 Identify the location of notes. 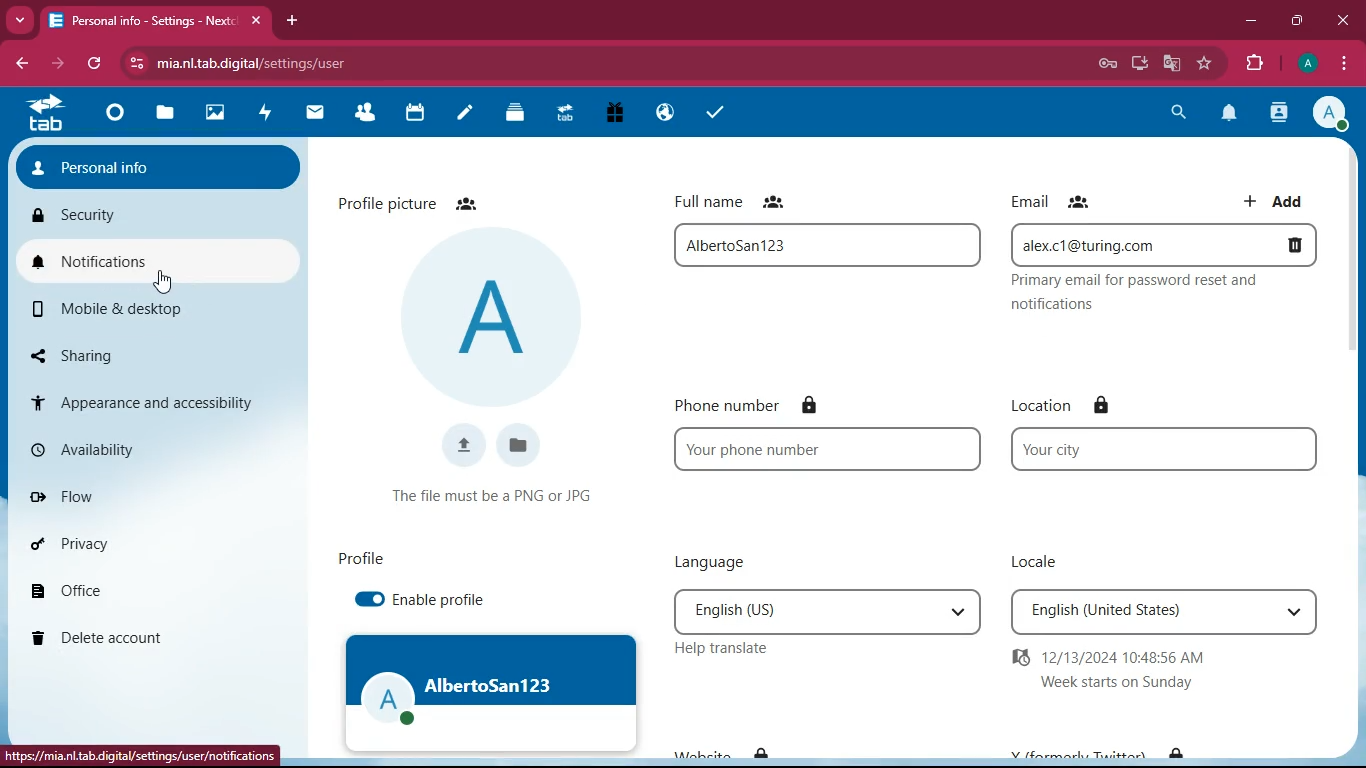
(467, 115).